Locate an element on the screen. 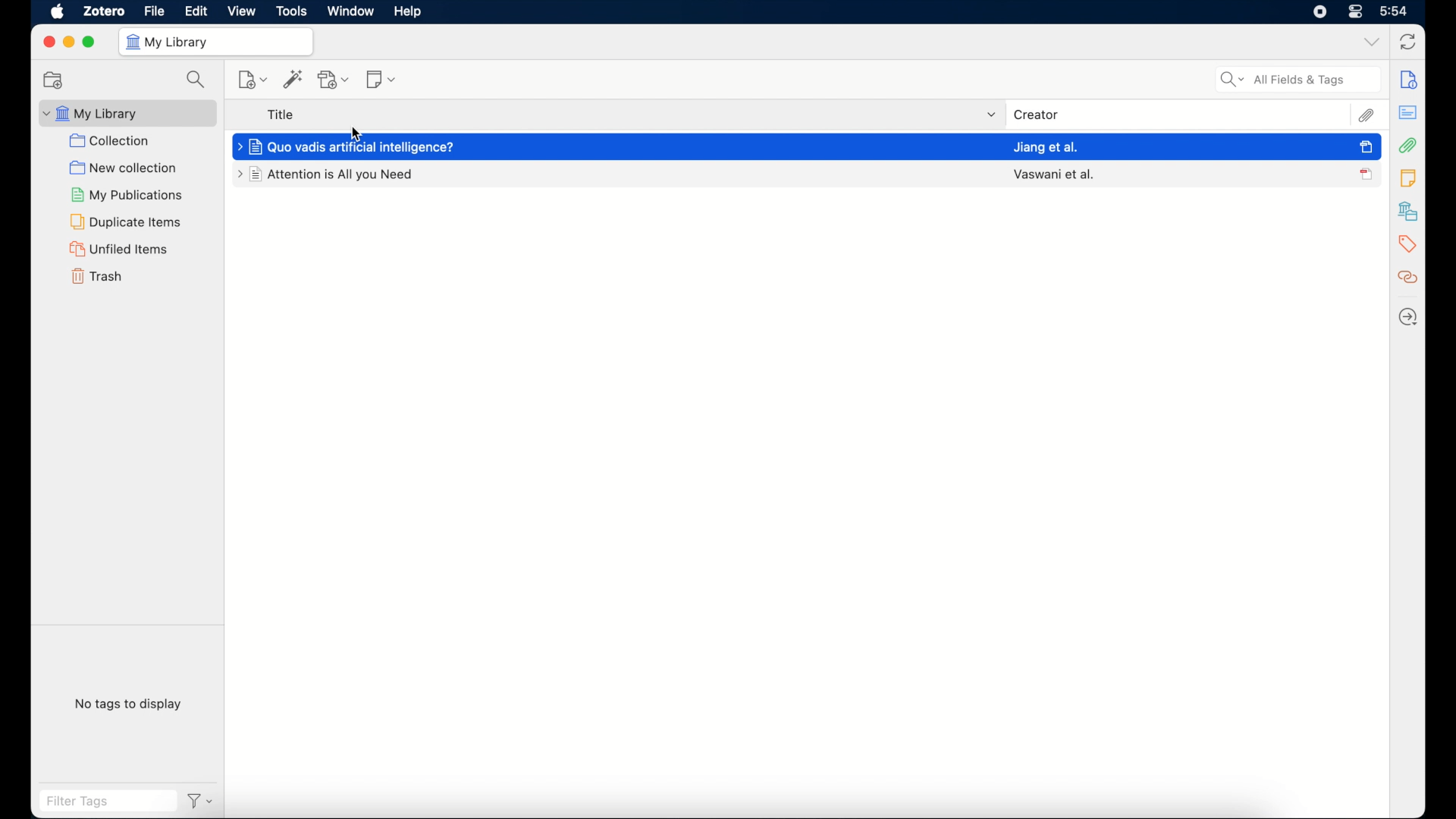  filter dropdown menu is located at coordinates (200, 801).